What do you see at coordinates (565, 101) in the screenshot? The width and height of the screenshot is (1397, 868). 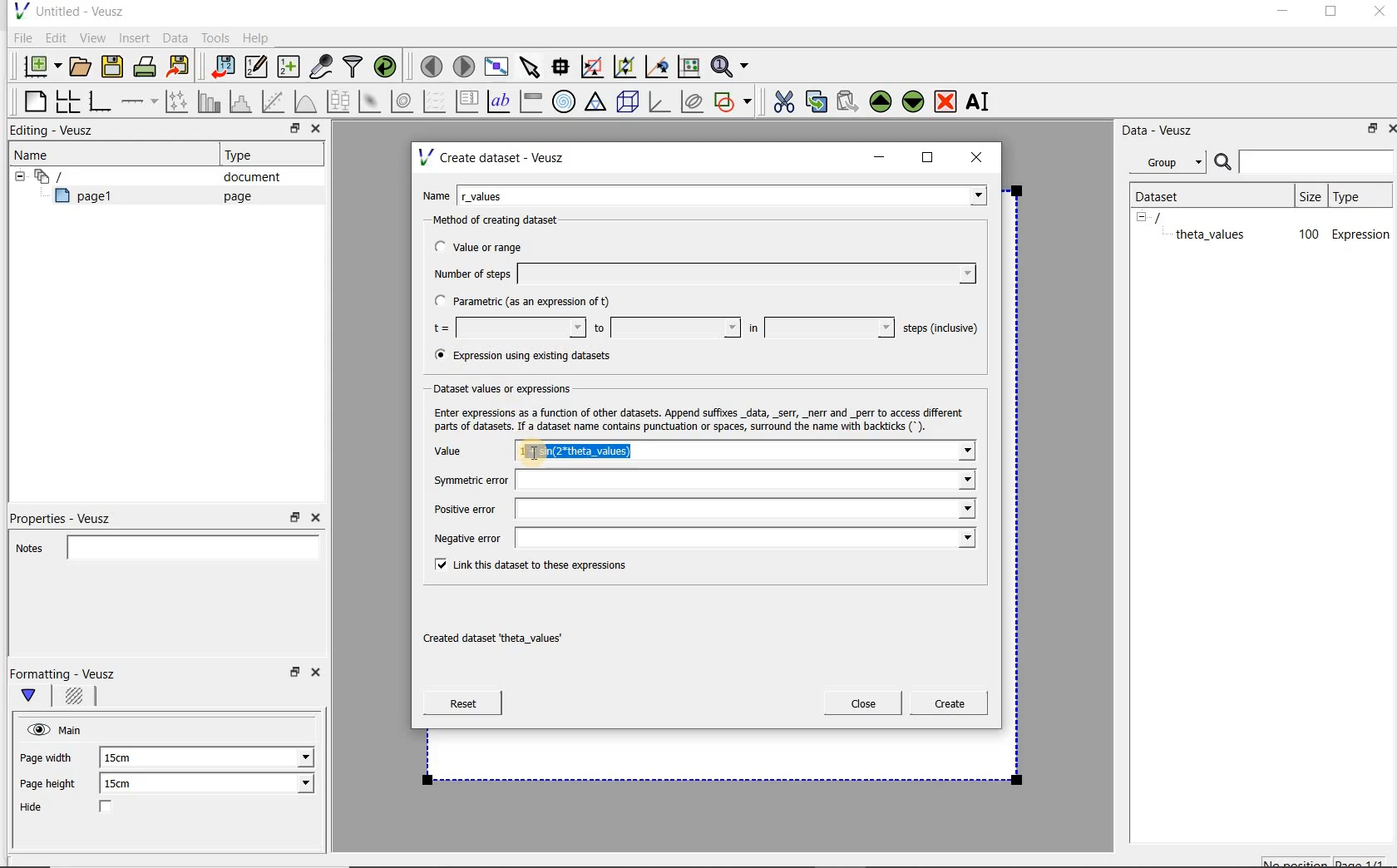 I see `polar graph` at bounding box center [565, 101].